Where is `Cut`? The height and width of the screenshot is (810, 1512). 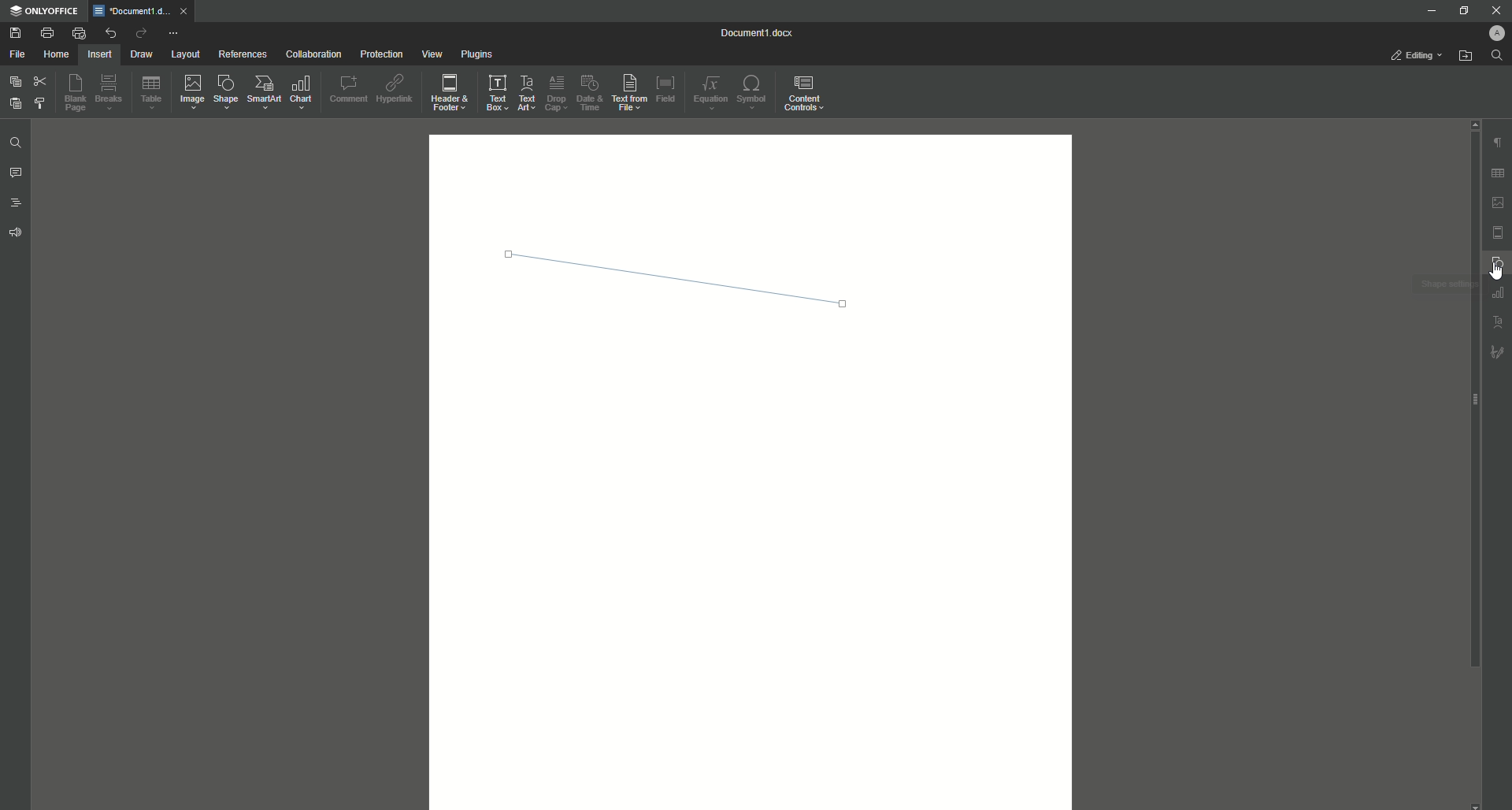 Cut is located at coordinates (39, 81).